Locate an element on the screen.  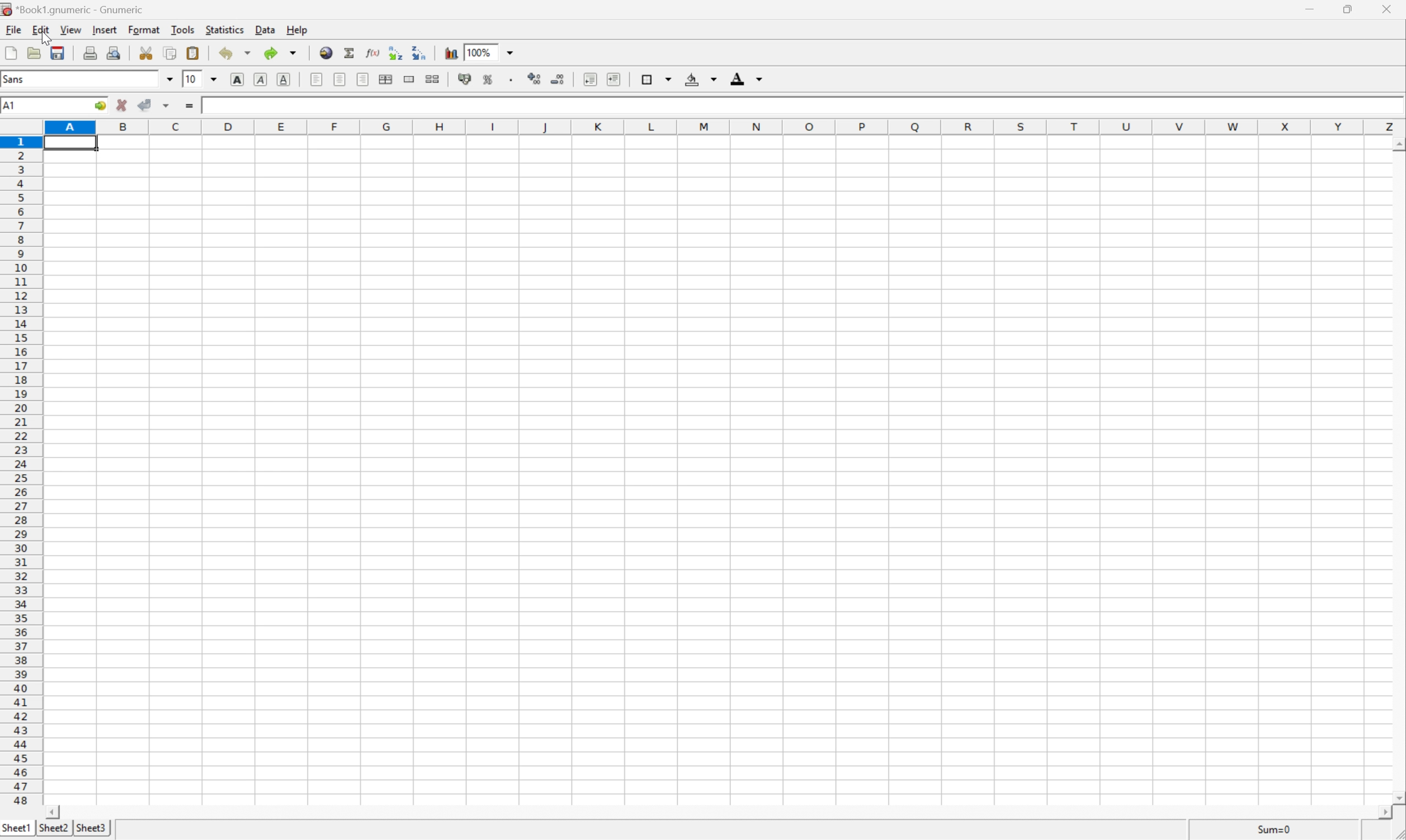
sheet2 is located at coordinates (52, 832).